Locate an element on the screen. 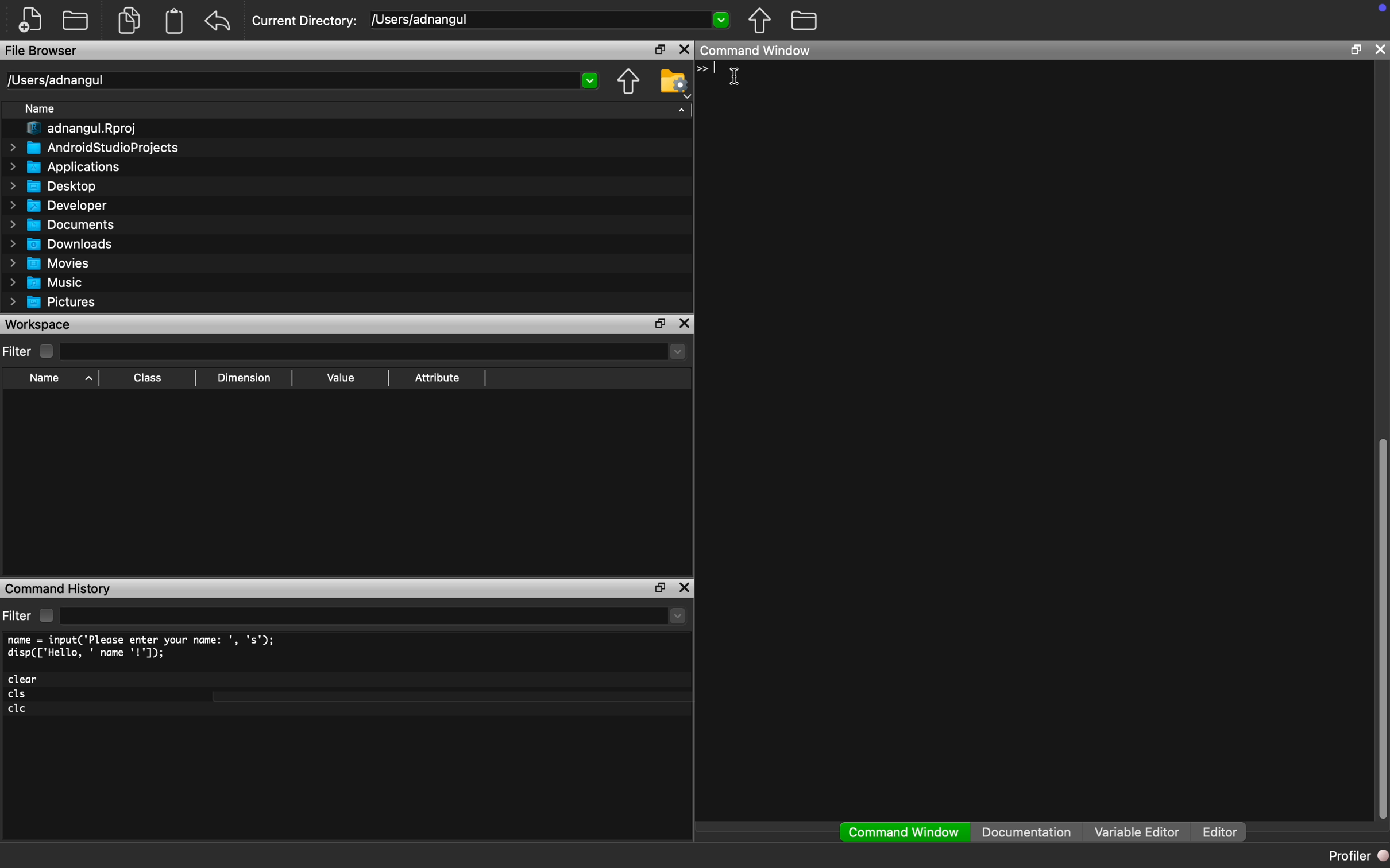  maximize is located at coordinates (658, 588).